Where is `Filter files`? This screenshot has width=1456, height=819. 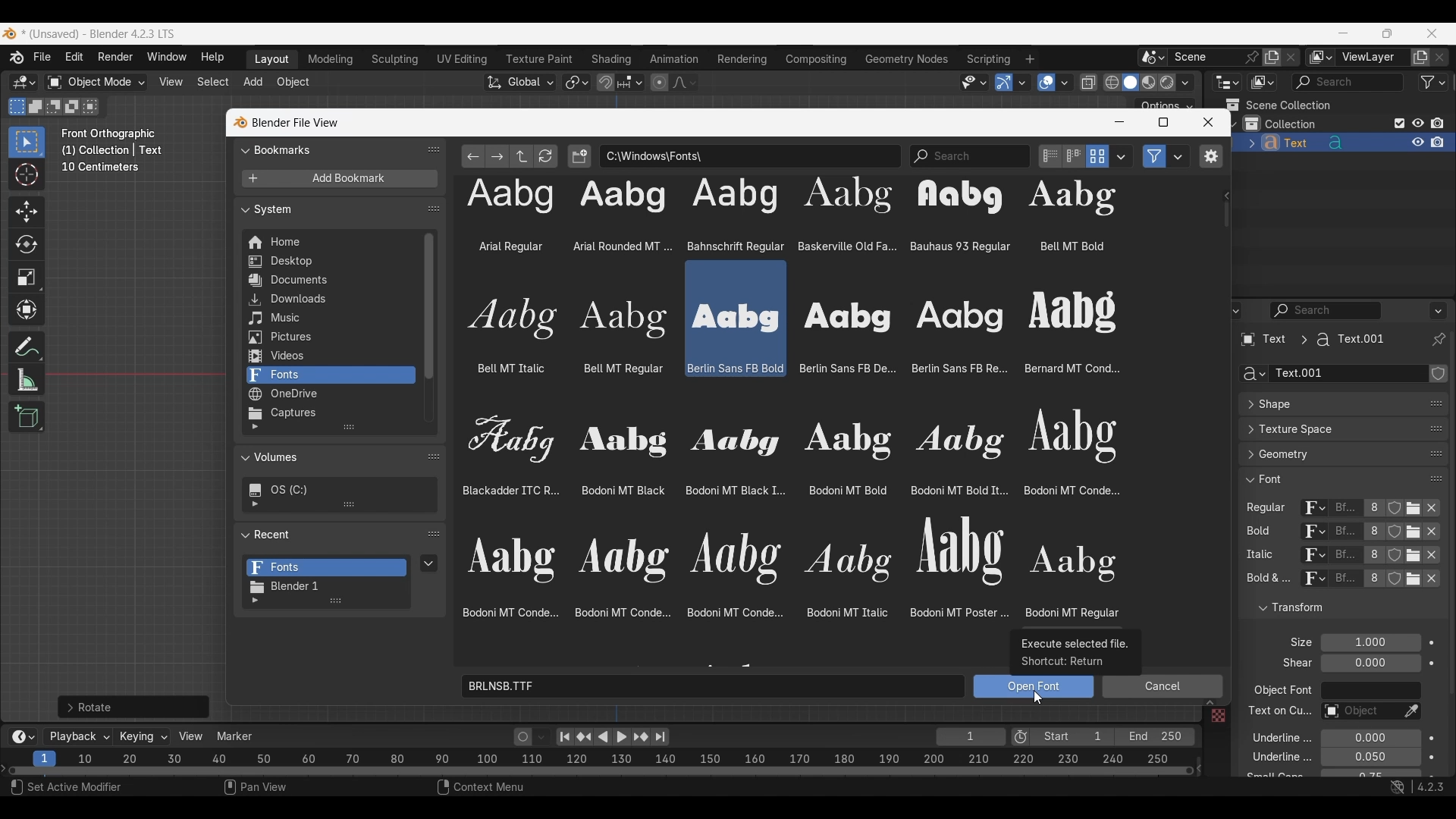
Filter files is located at coordinates (1154, 156).